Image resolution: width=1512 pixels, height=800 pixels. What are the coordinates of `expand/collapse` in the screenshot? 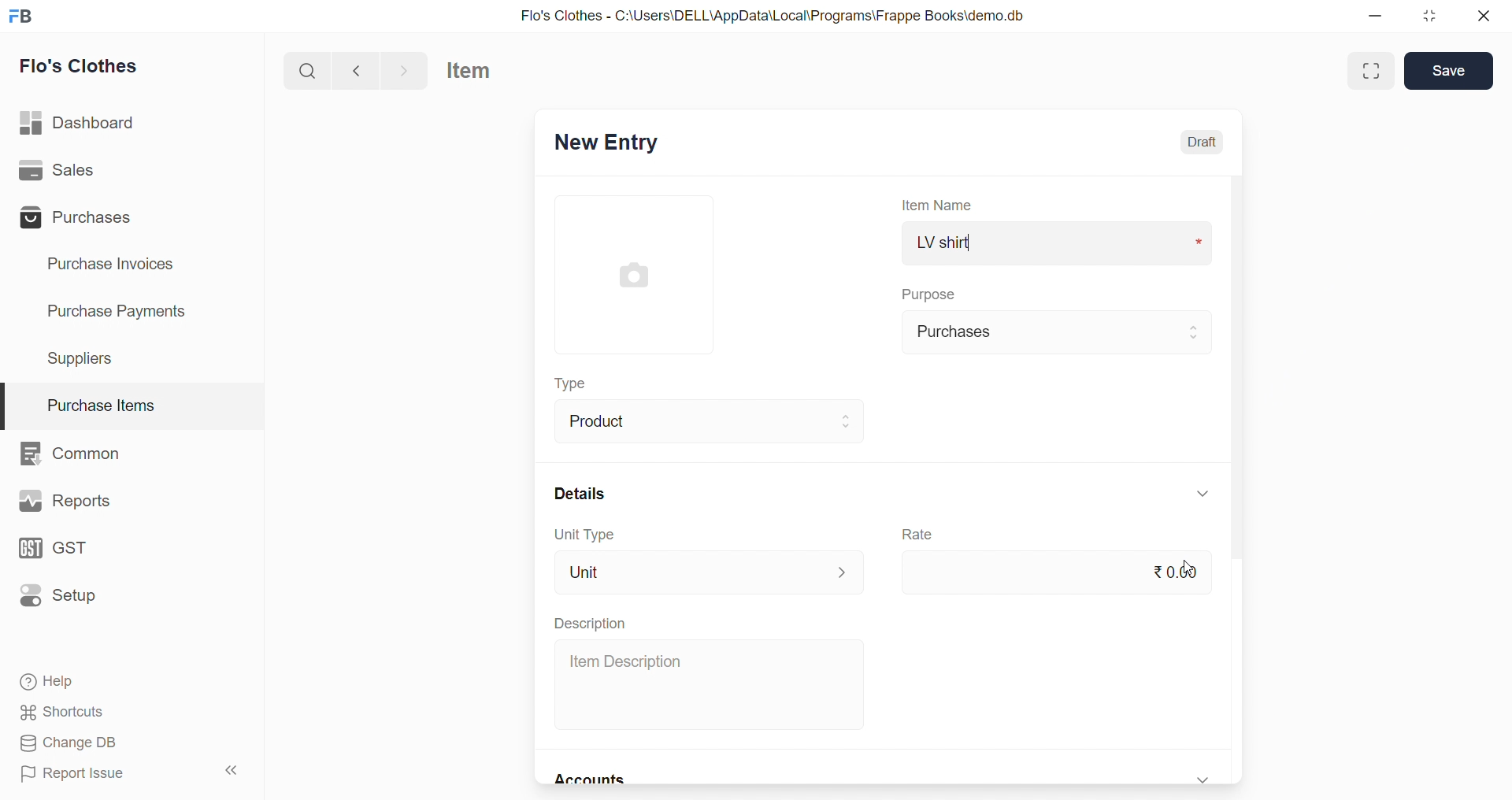 It's located at (1205, 777).